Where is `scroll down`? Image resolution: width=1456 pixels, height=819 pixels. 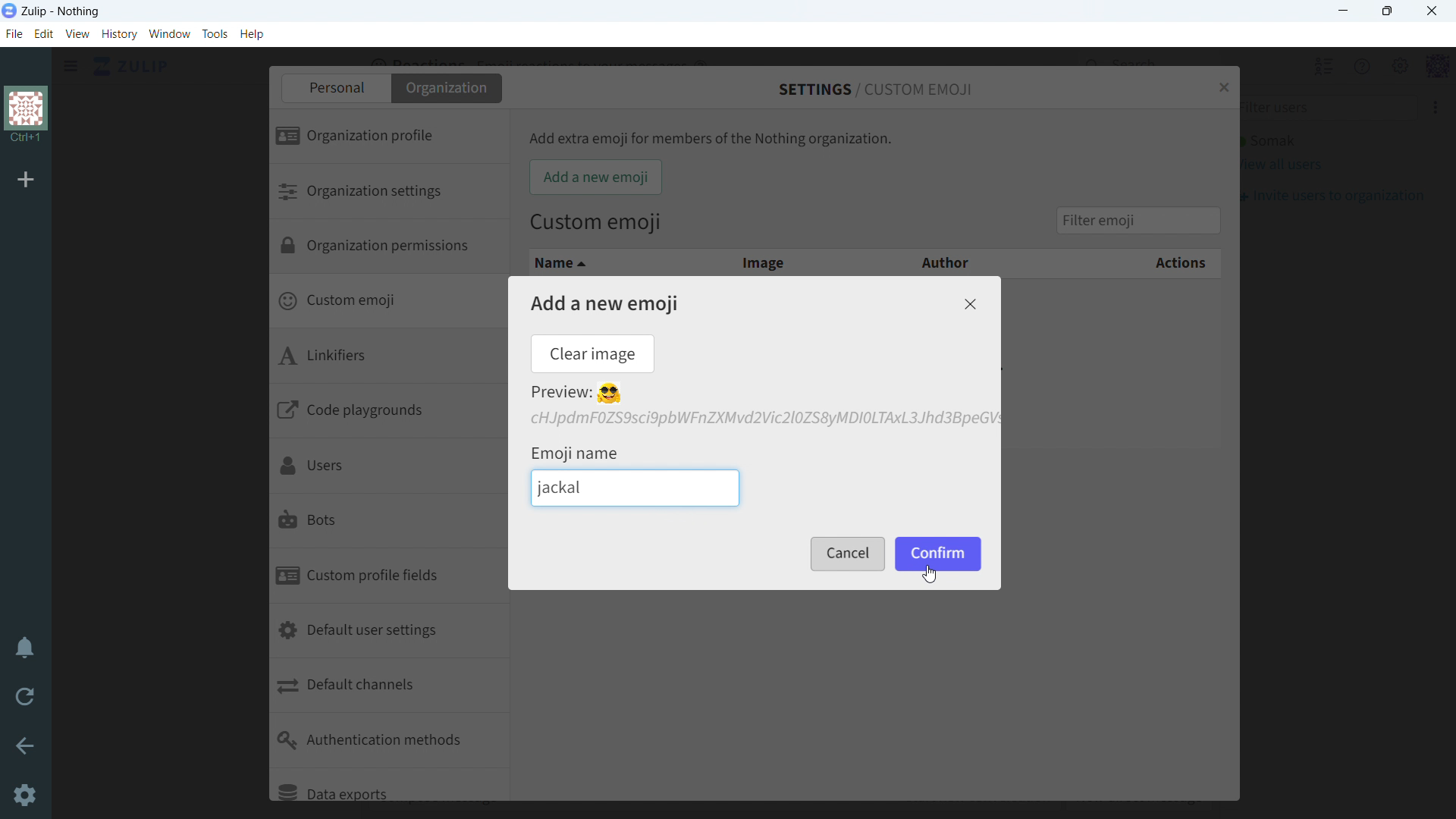 scroll down is located at coordinates (1447, 811).